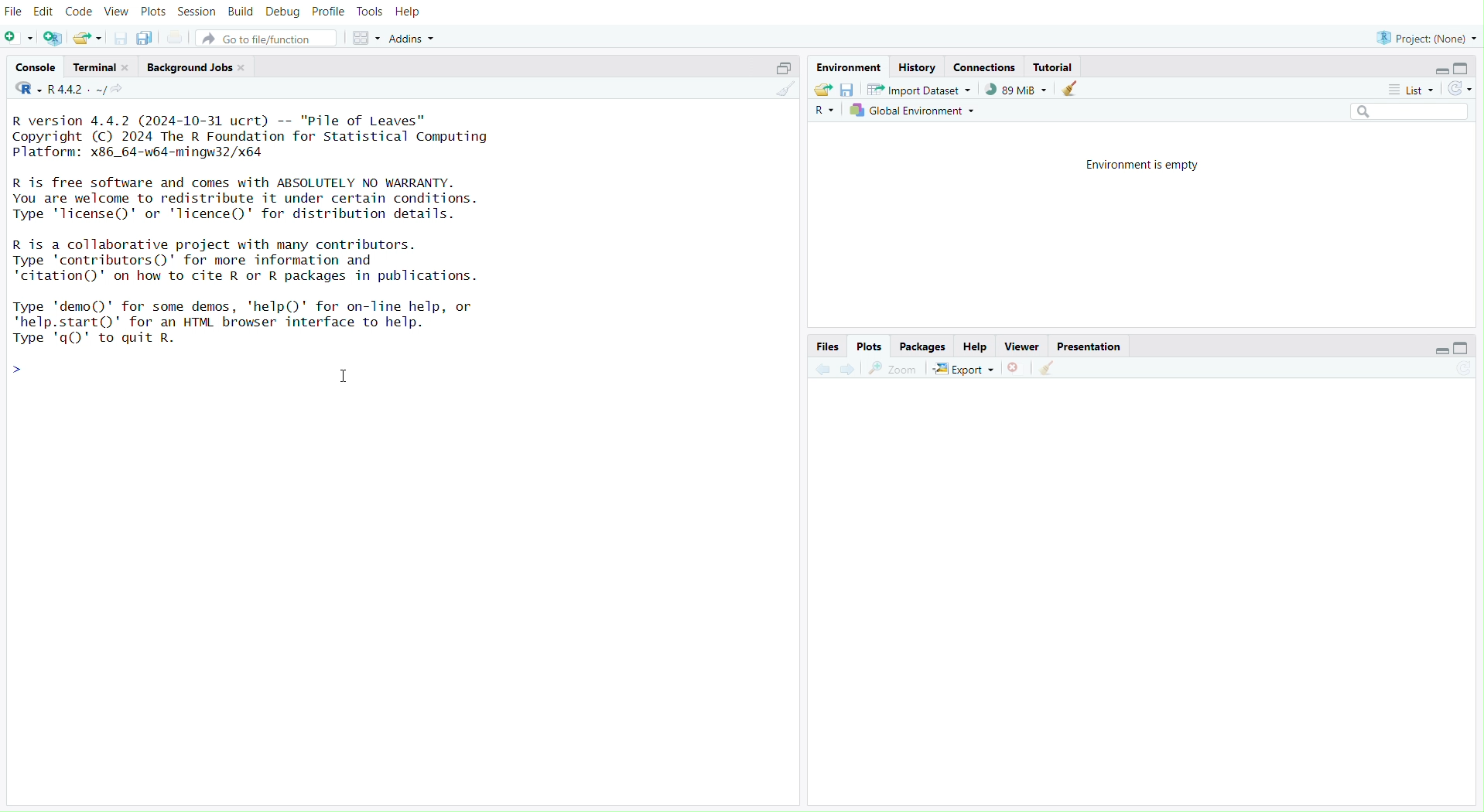 The width and height of the screenshot is (1484, 812). I want to click on Workspace panes, so click(366, 36).